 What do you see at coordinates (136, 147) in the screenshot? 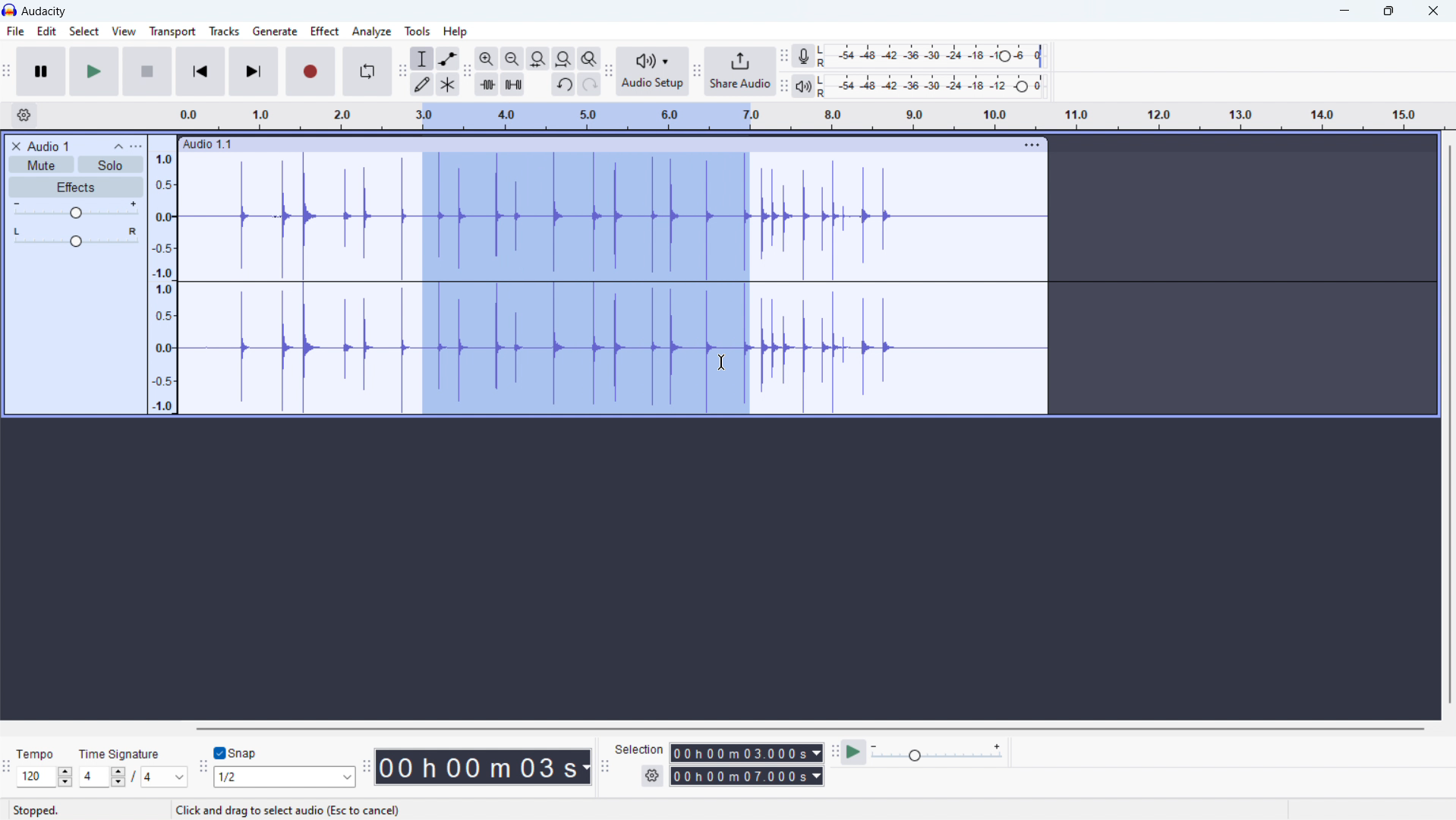
I see `view menu` at bounding box center [136, 147].